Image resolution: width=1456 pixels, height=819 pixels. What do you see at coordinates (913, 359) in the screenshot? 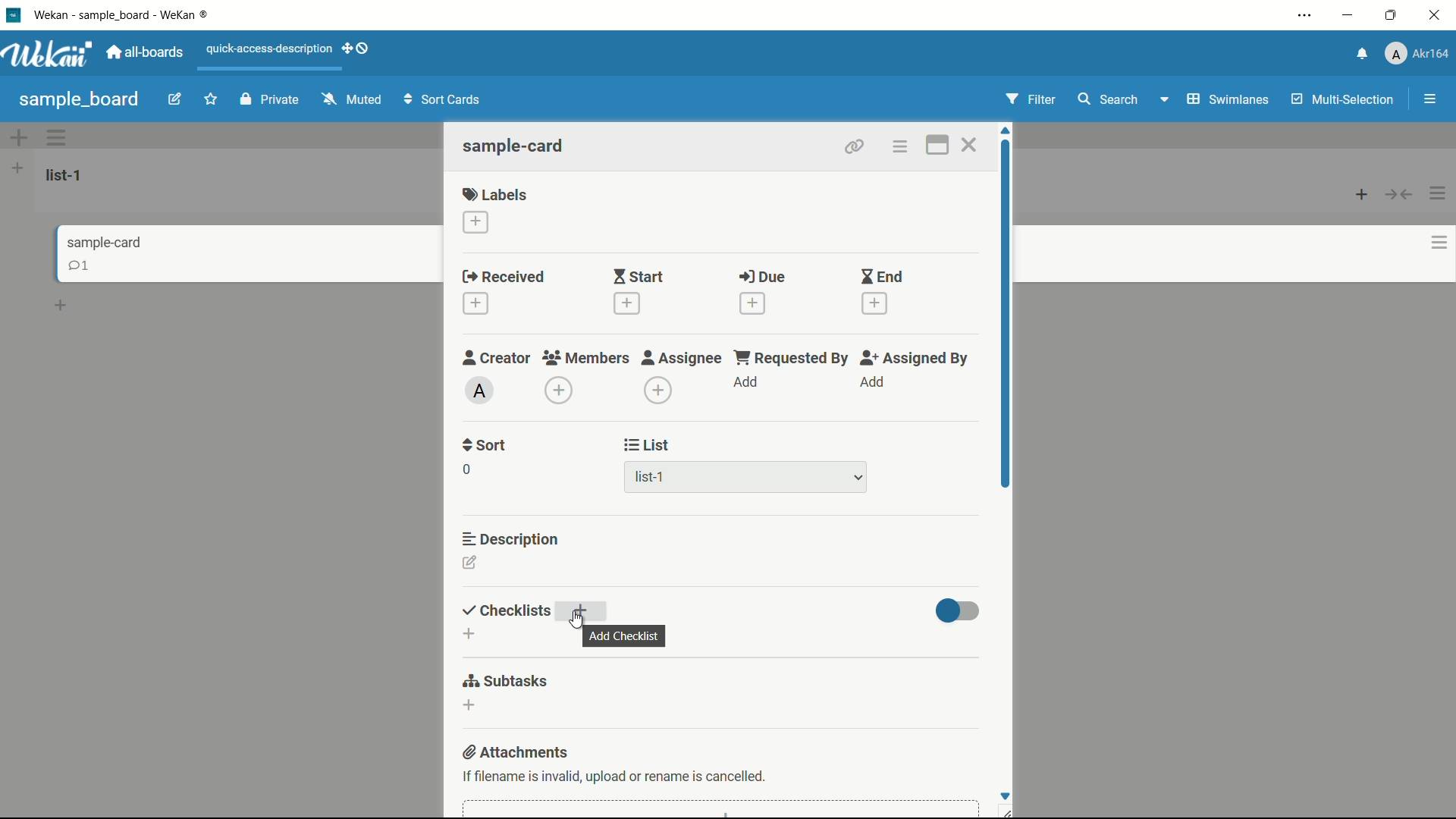
I see `assigned by` at bounding box center [913, 359].